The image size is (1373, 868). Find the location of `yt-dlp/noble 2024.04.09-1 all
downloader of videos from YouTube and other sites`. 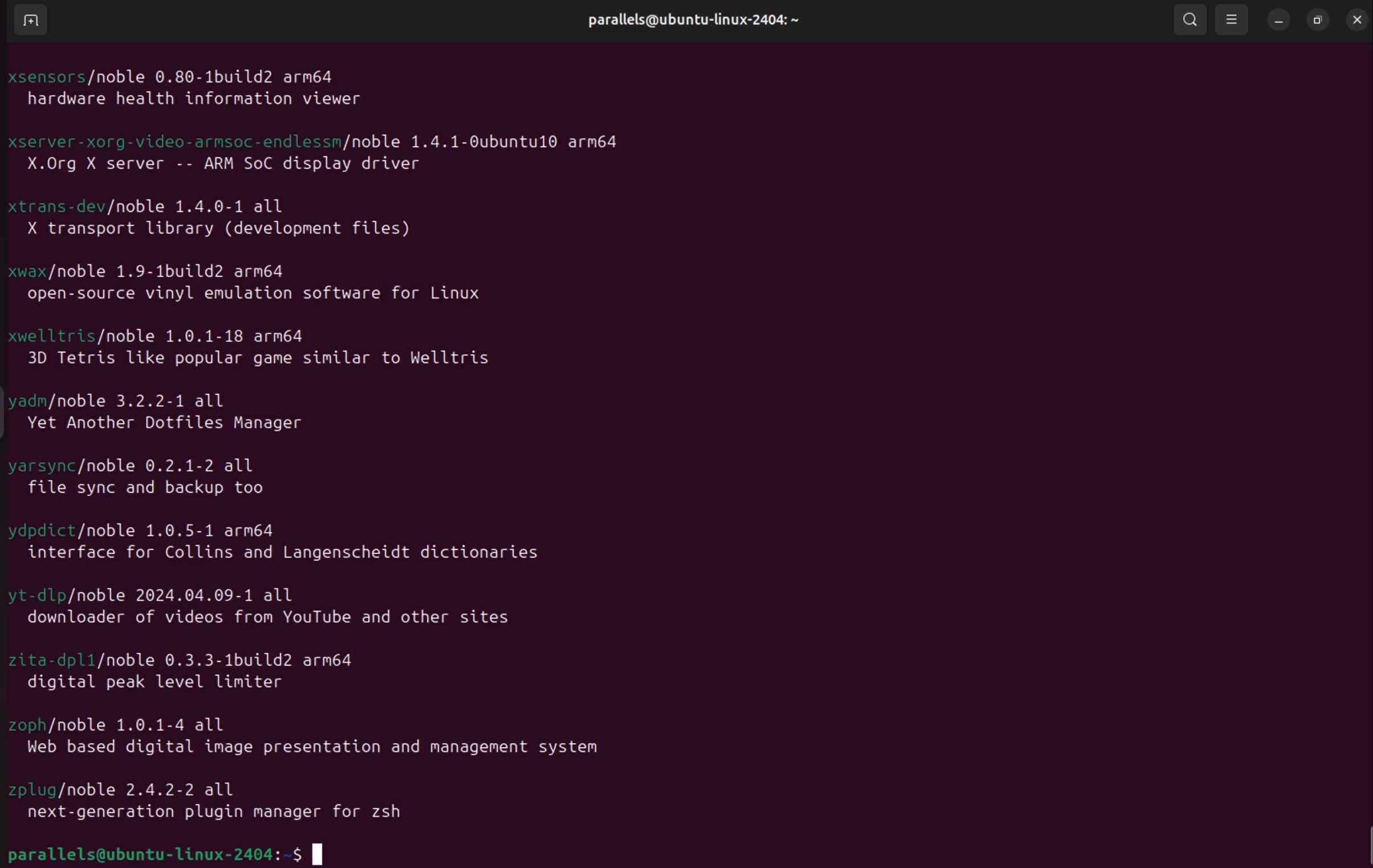

yt-dlp/noble 2024.04.09-1 all
downloader of videos from YouTube and other sites is located at coordinates (267, 607).